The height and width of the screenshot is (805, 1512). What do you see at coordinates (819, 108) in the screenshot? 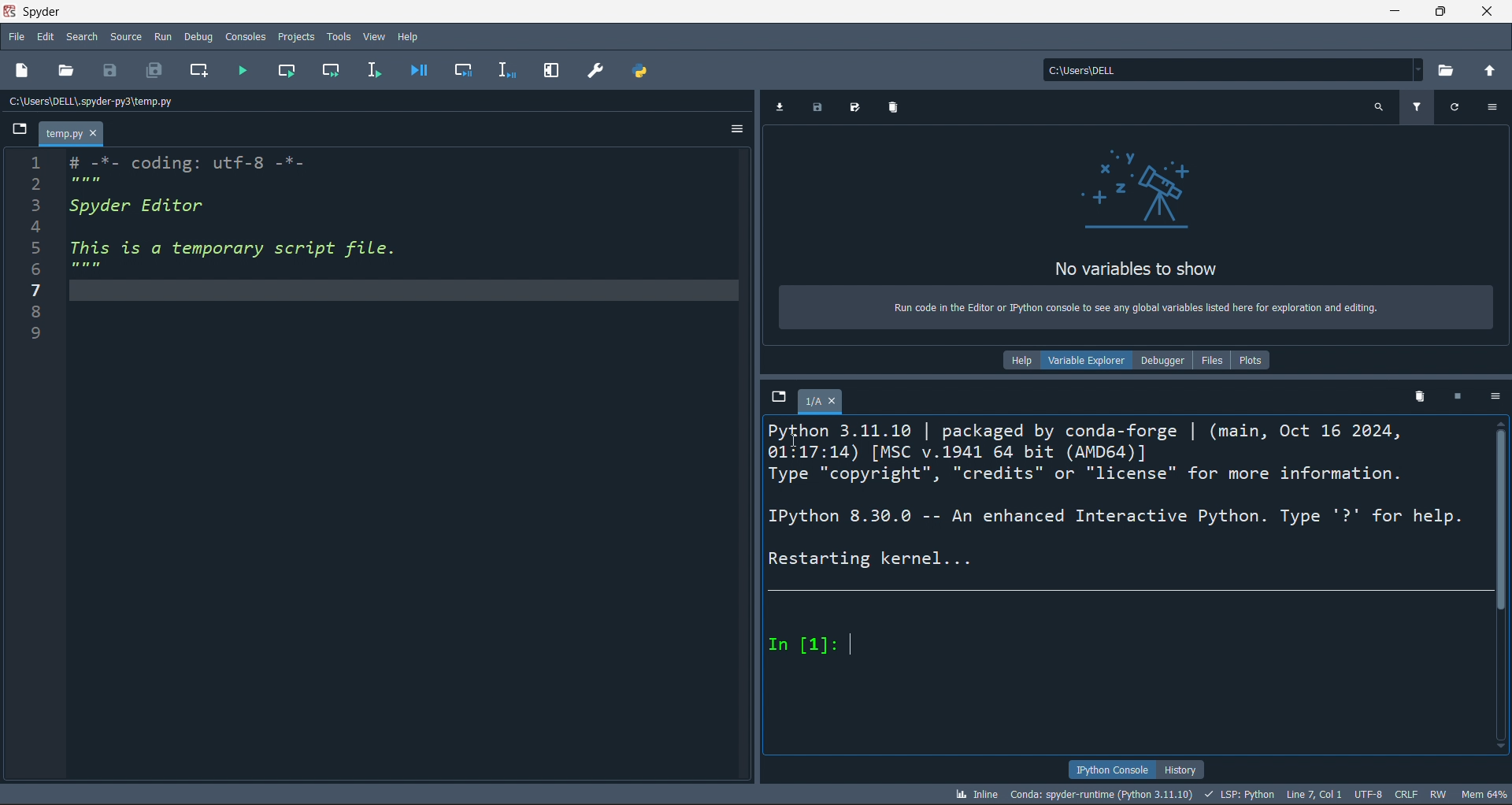
I see `save` at bounding box center [819, 108].